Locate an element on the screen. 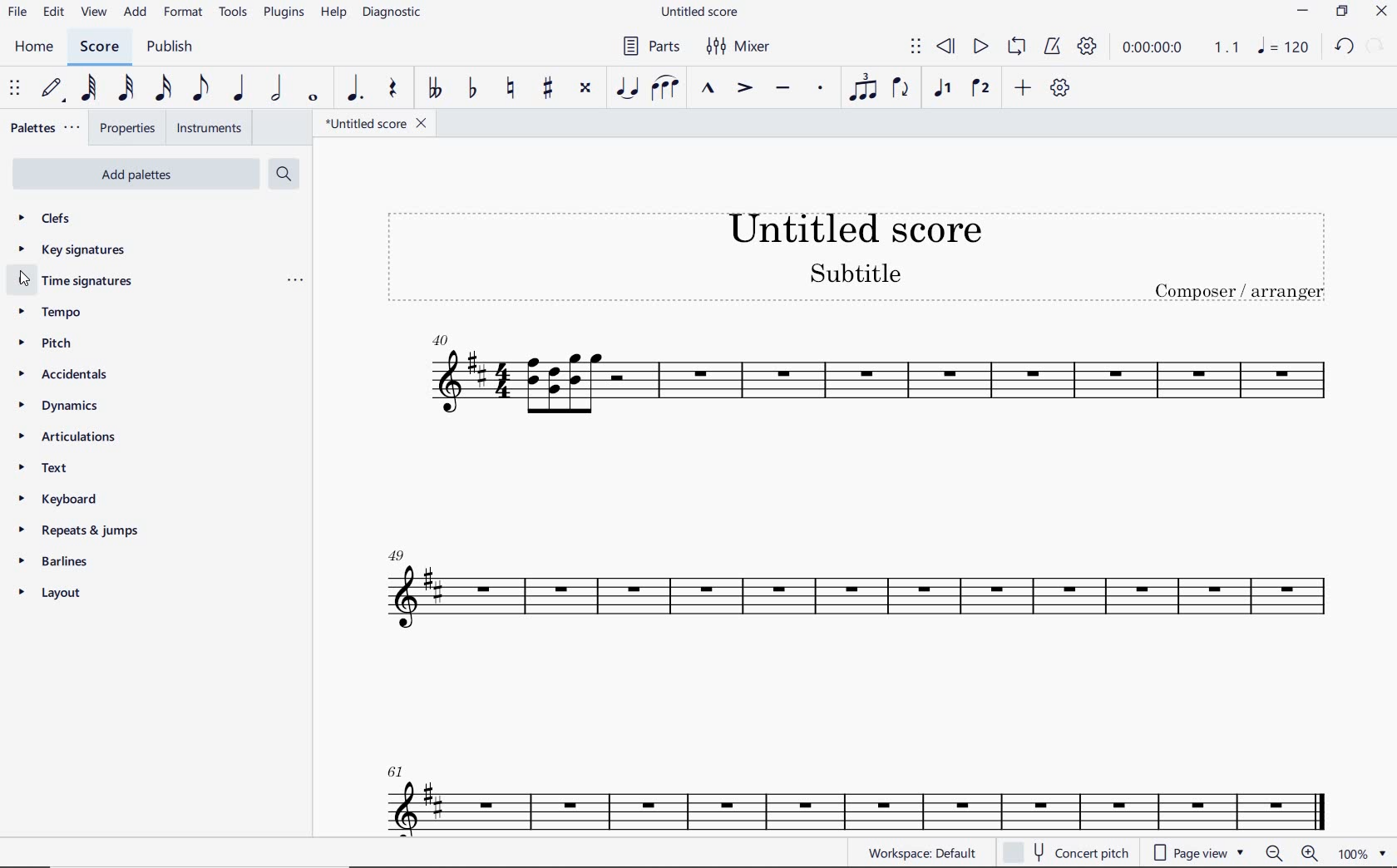  HALF NOTE is located at coordinates (275, 89).